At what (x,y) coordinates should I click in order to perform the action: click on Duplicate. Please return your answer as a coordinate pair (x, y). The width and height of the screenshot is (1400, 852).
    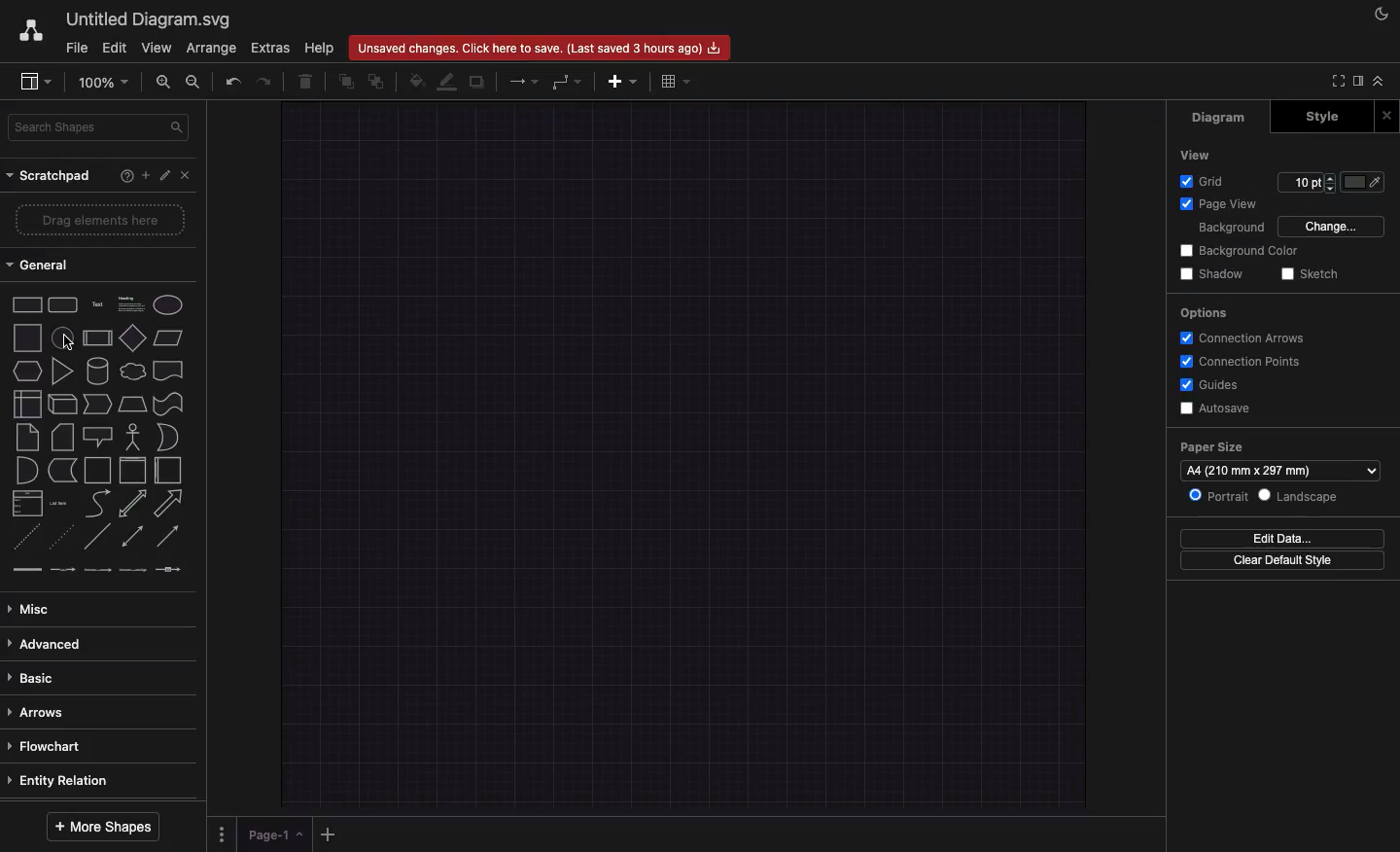
    Looking at the image, I should click on (478, 81).